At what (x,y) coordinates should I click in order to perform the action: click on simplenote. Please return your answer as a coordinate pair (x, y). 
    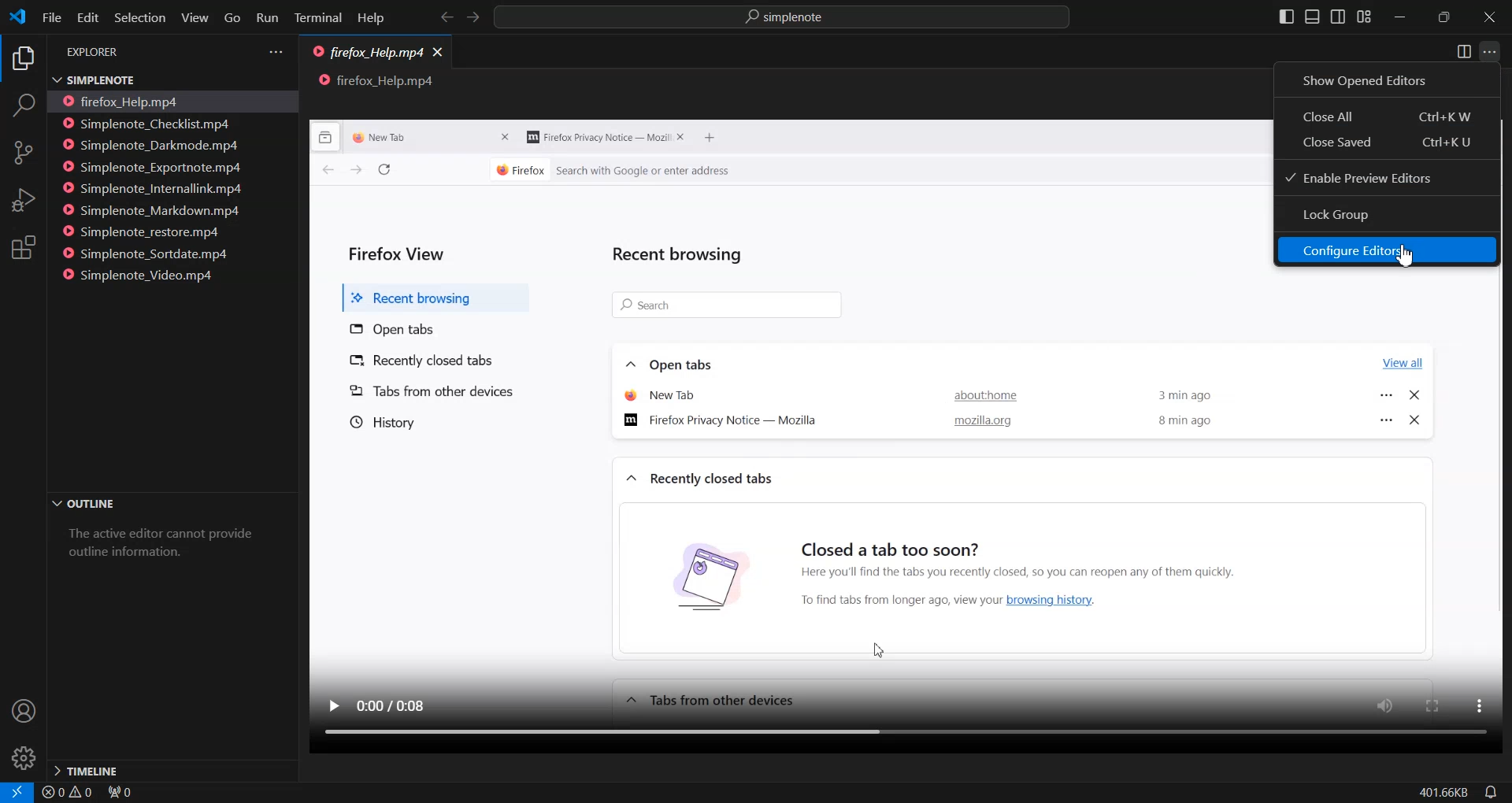
    Looking at the image, I should click on (792, 19).